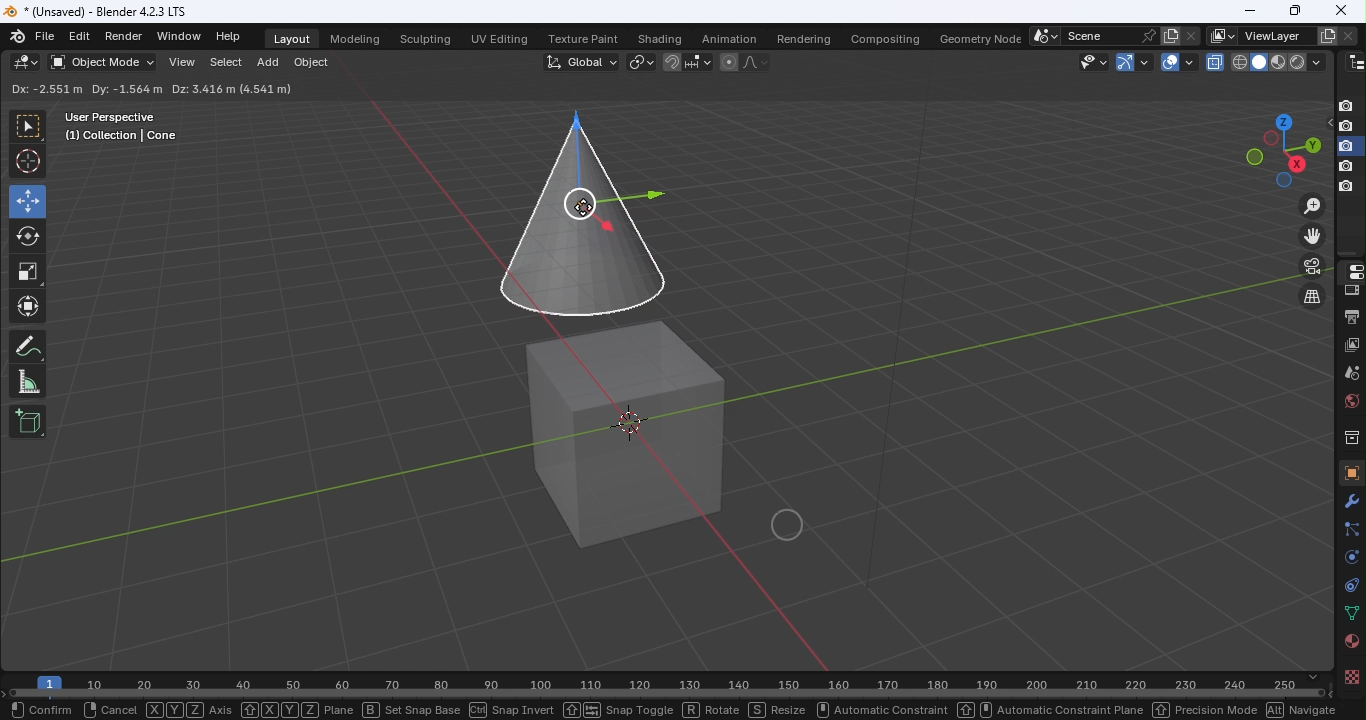 The width and height of the screenshot is (1366, 720). Describe the element at coordinates (1311, 205) in the screenshot. I see `Zoon in or out in the view` at that location.